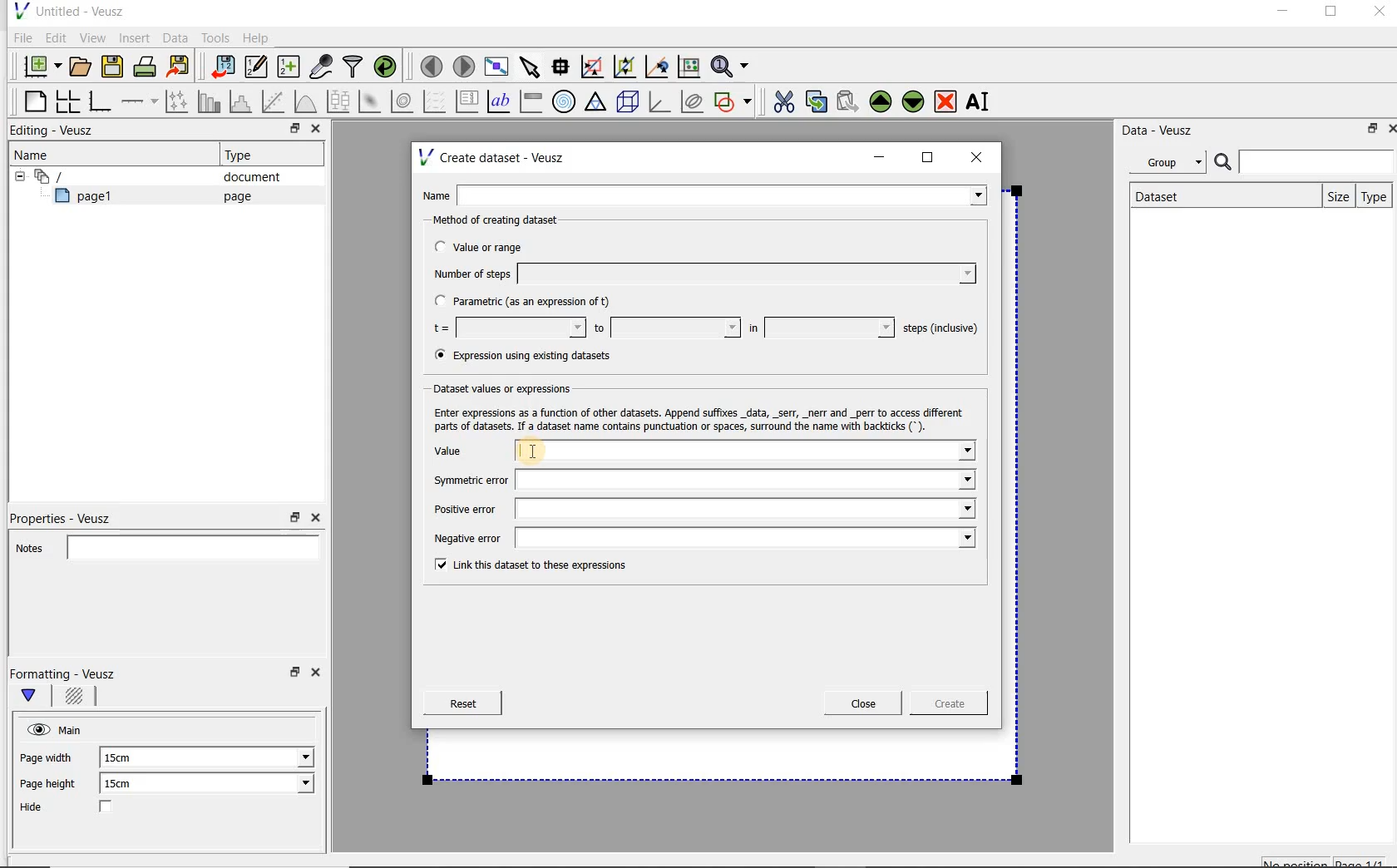 Image resolution: width=1397 pixels, height=868 pixels. I want to click on 15cm, so click(128, 784).